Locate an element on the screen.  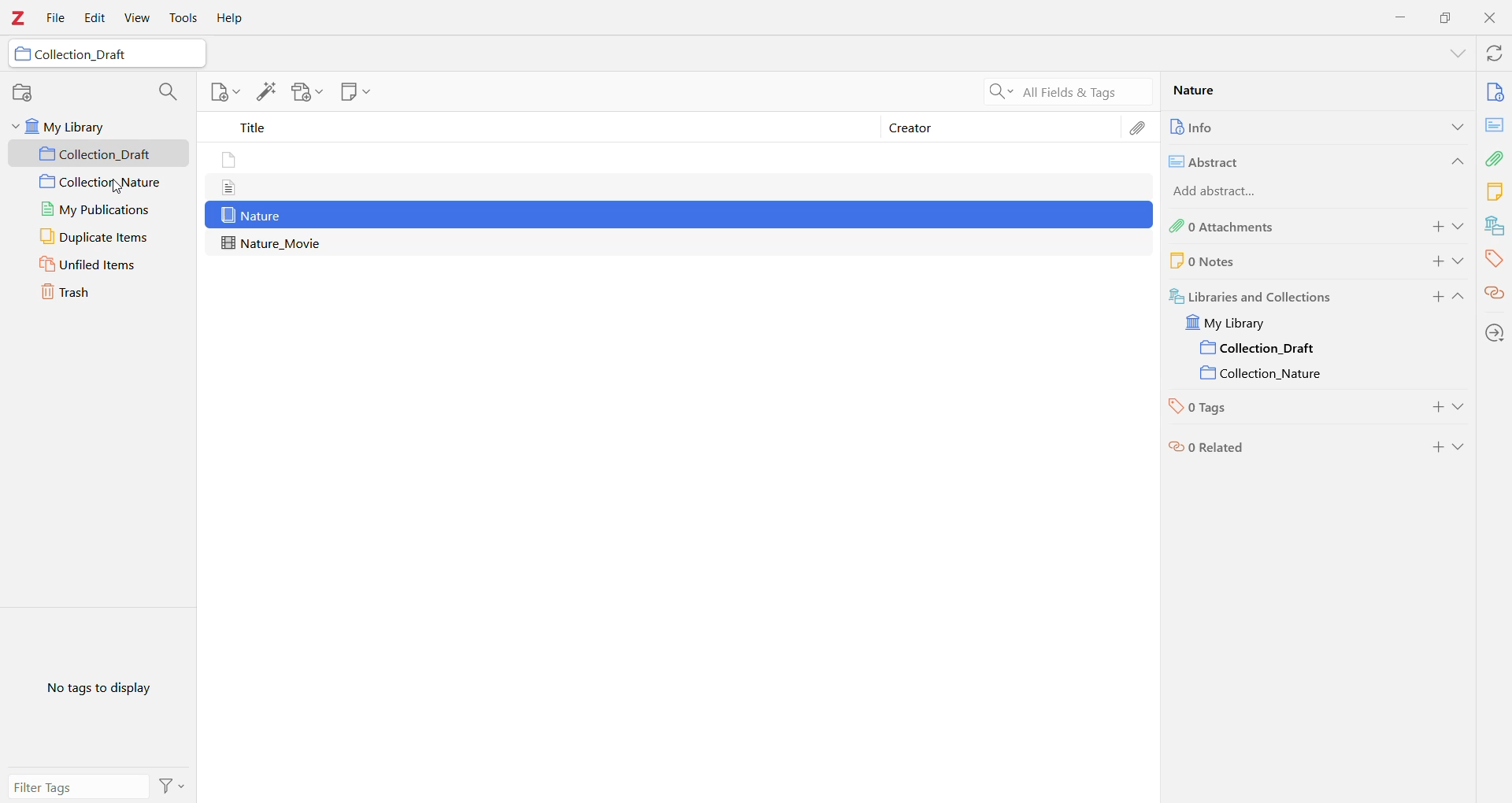
Minimize is located at coordinates (1402, 17).